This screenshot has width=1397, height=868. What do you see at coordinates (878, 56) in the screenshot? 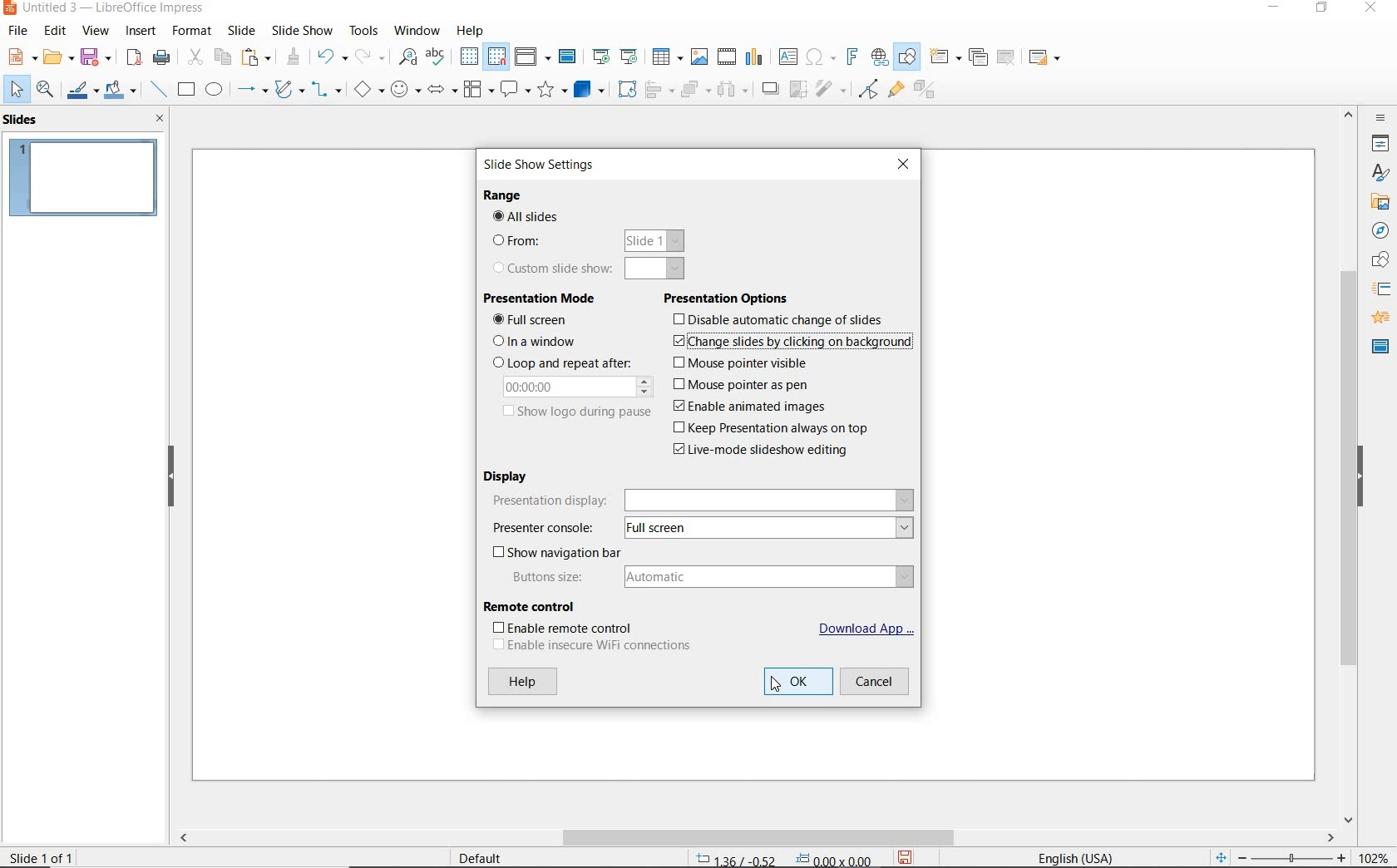
I see `INSERT HYPERLINK` at bounding box center [878, 56].